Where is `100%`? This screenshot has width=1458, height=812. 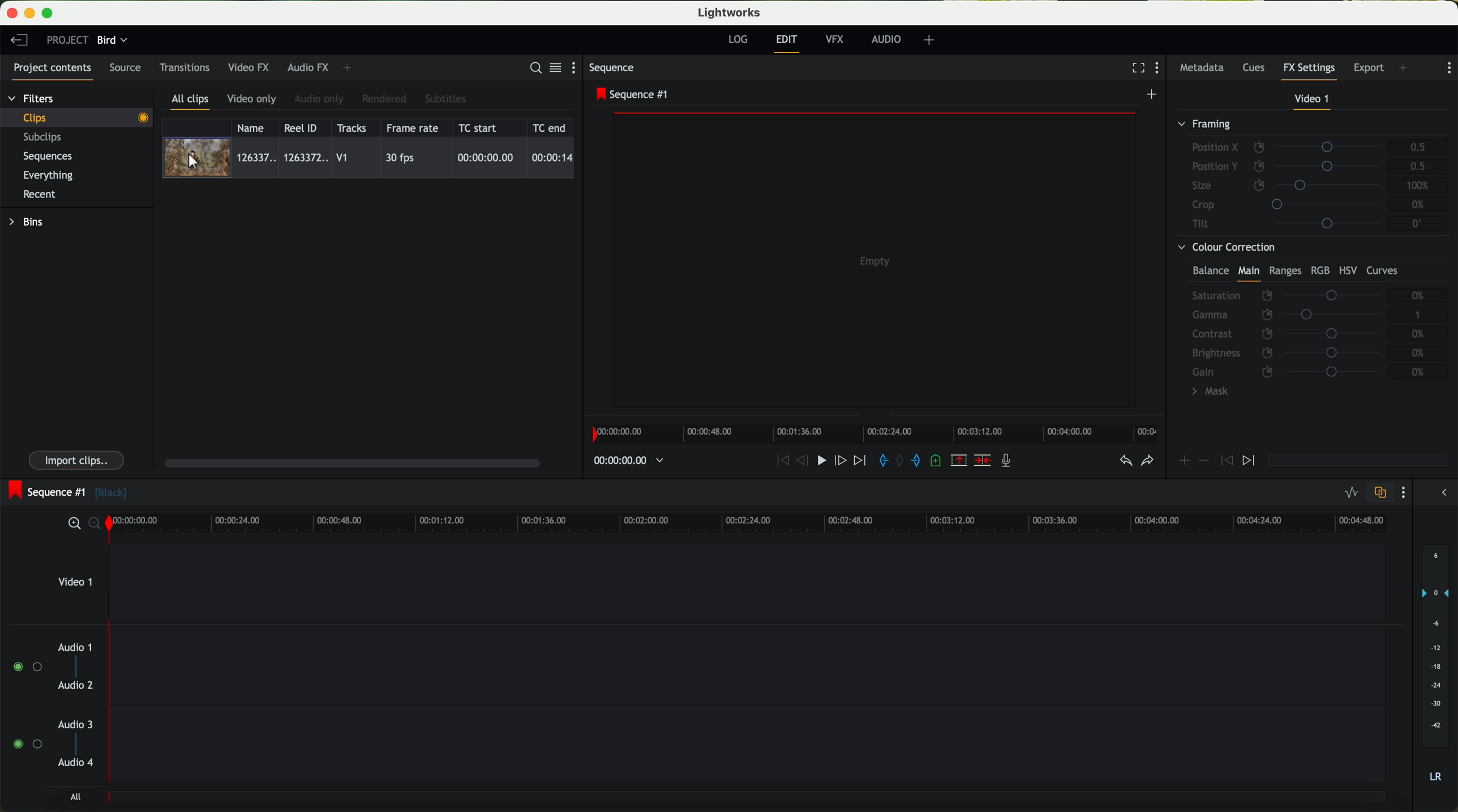 100% is located at coordinates (1421, 186).